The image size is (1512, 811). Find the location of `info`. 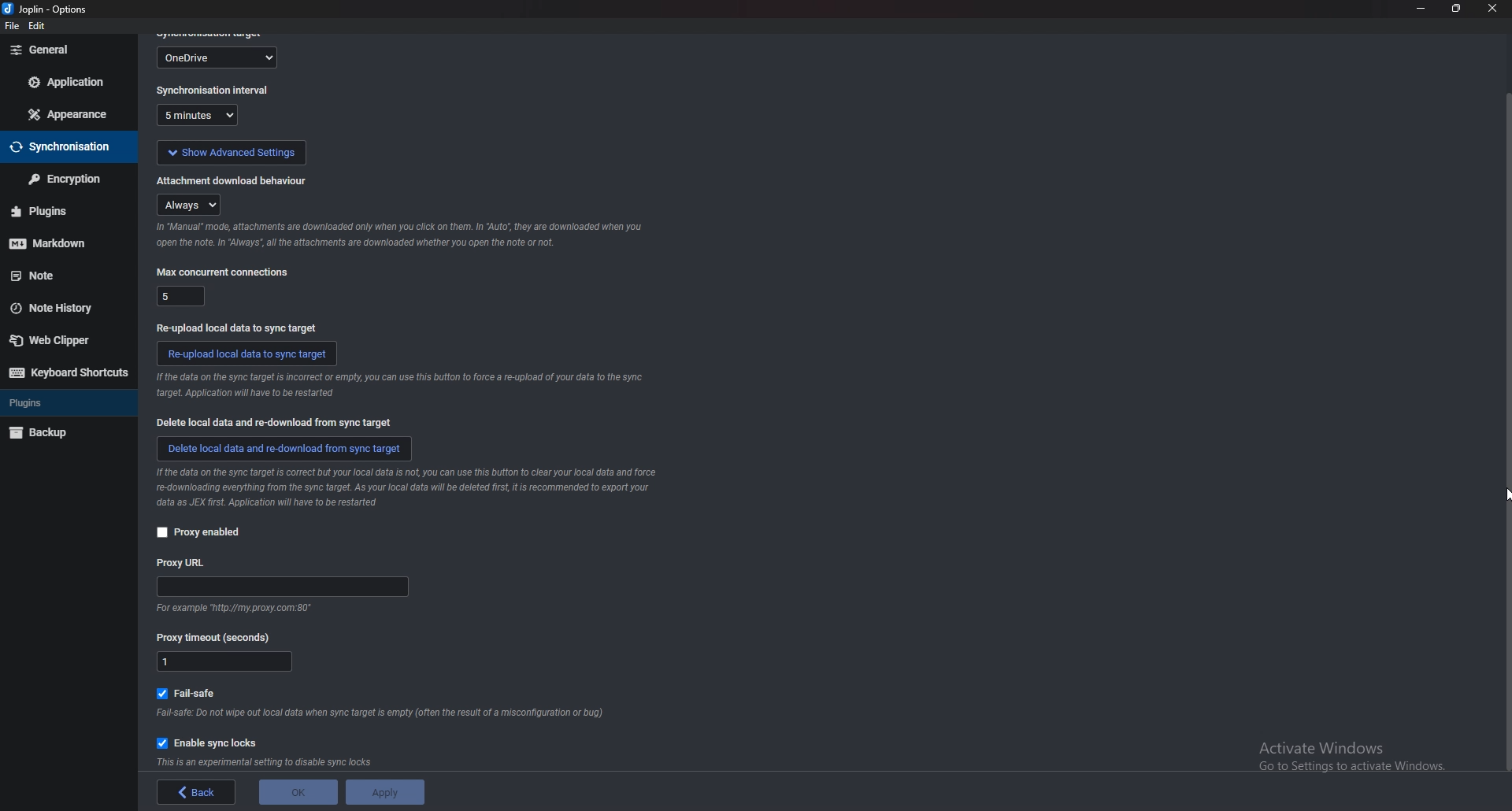

info is located at coordinates (231, 609).